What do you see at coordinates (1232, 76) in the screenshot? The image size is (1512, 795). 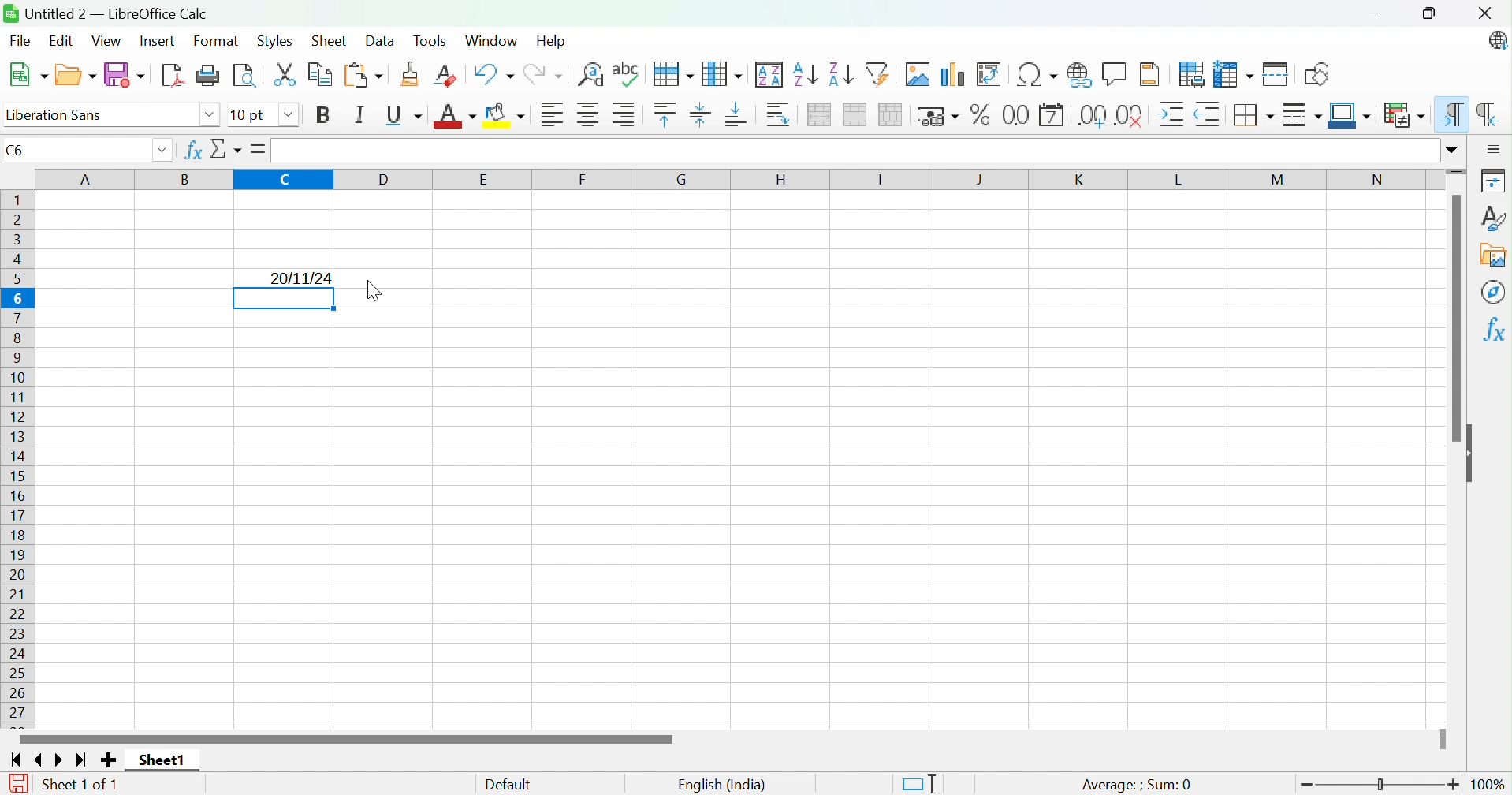 I see `Freeze rows and columns` at bounding box center [1232, 76].